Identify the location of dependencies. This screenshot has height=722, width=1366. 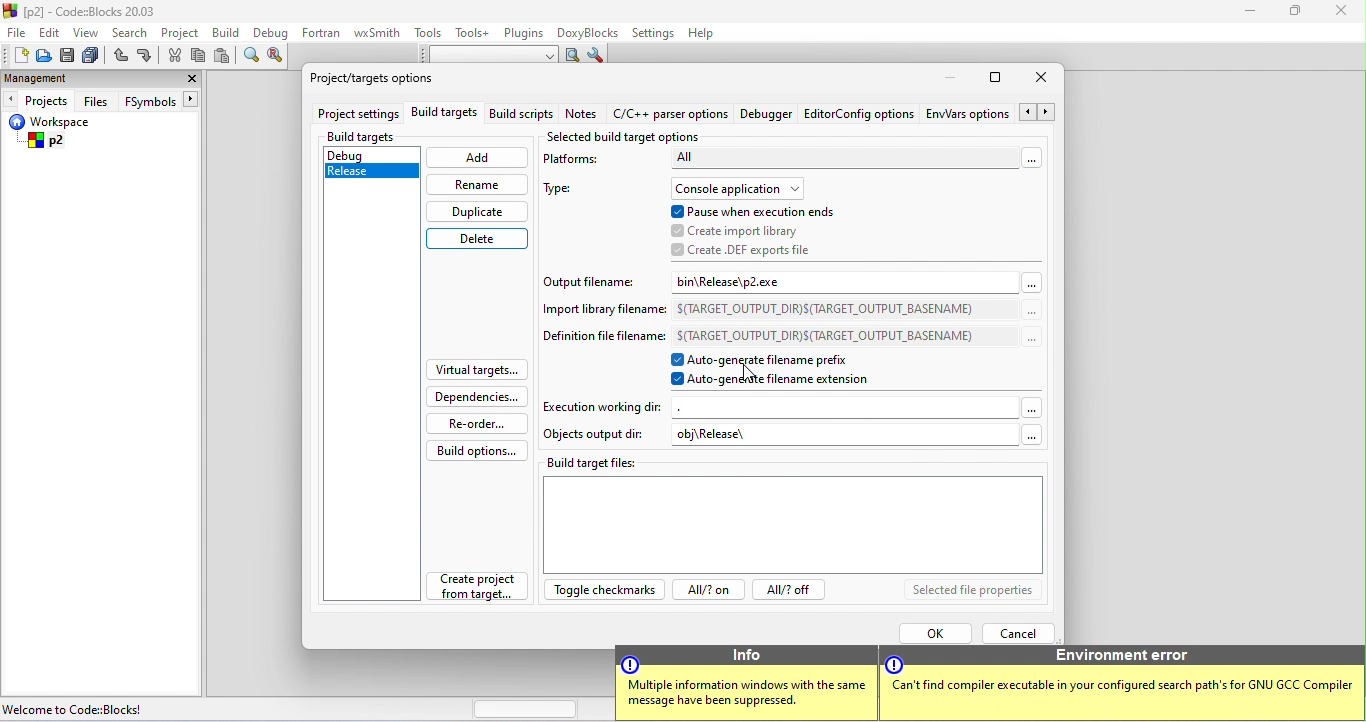
(479, 396).